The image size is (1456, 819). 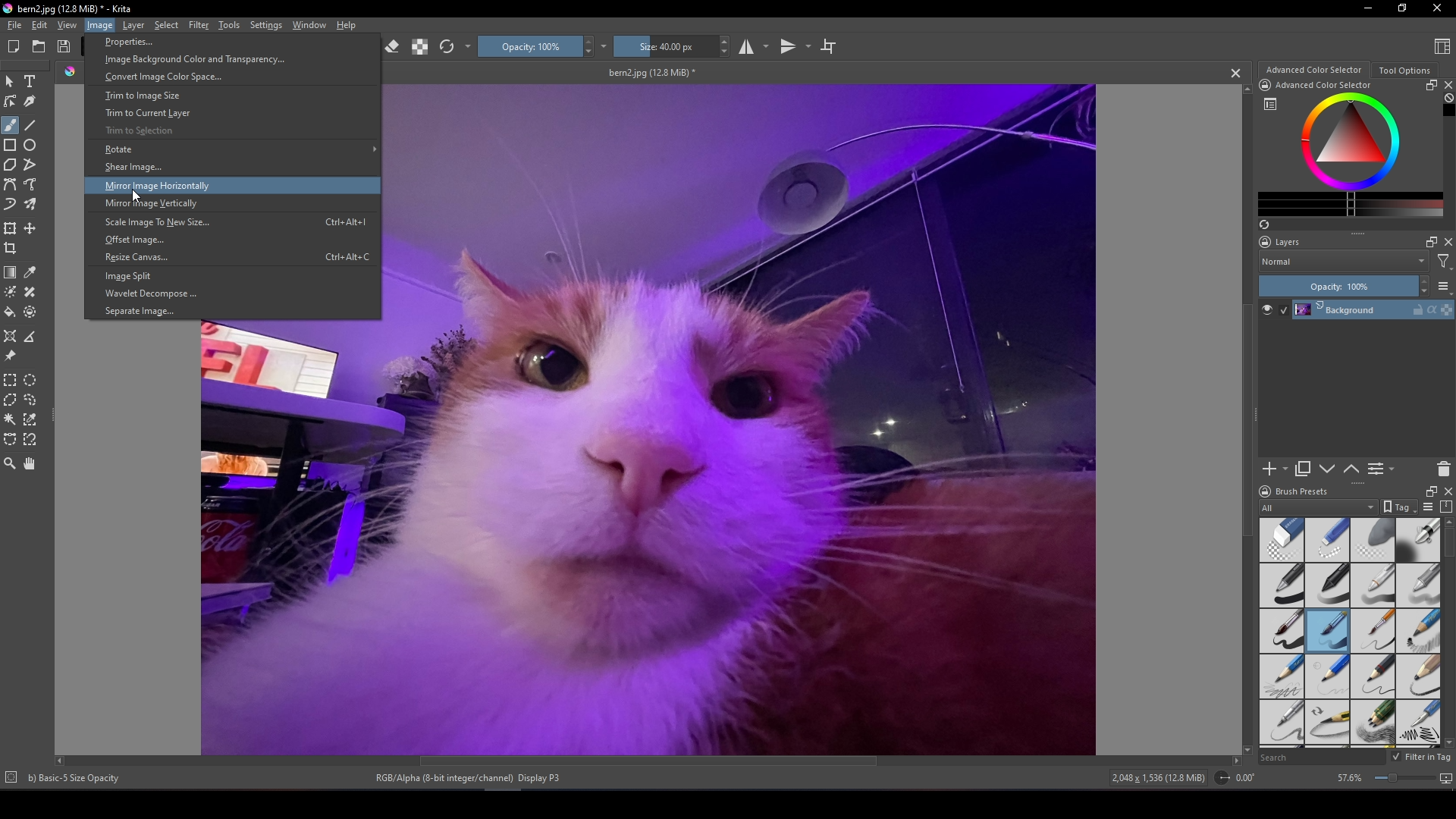 I want to click on Rectangular selection tool, so click(x=11, y=379).